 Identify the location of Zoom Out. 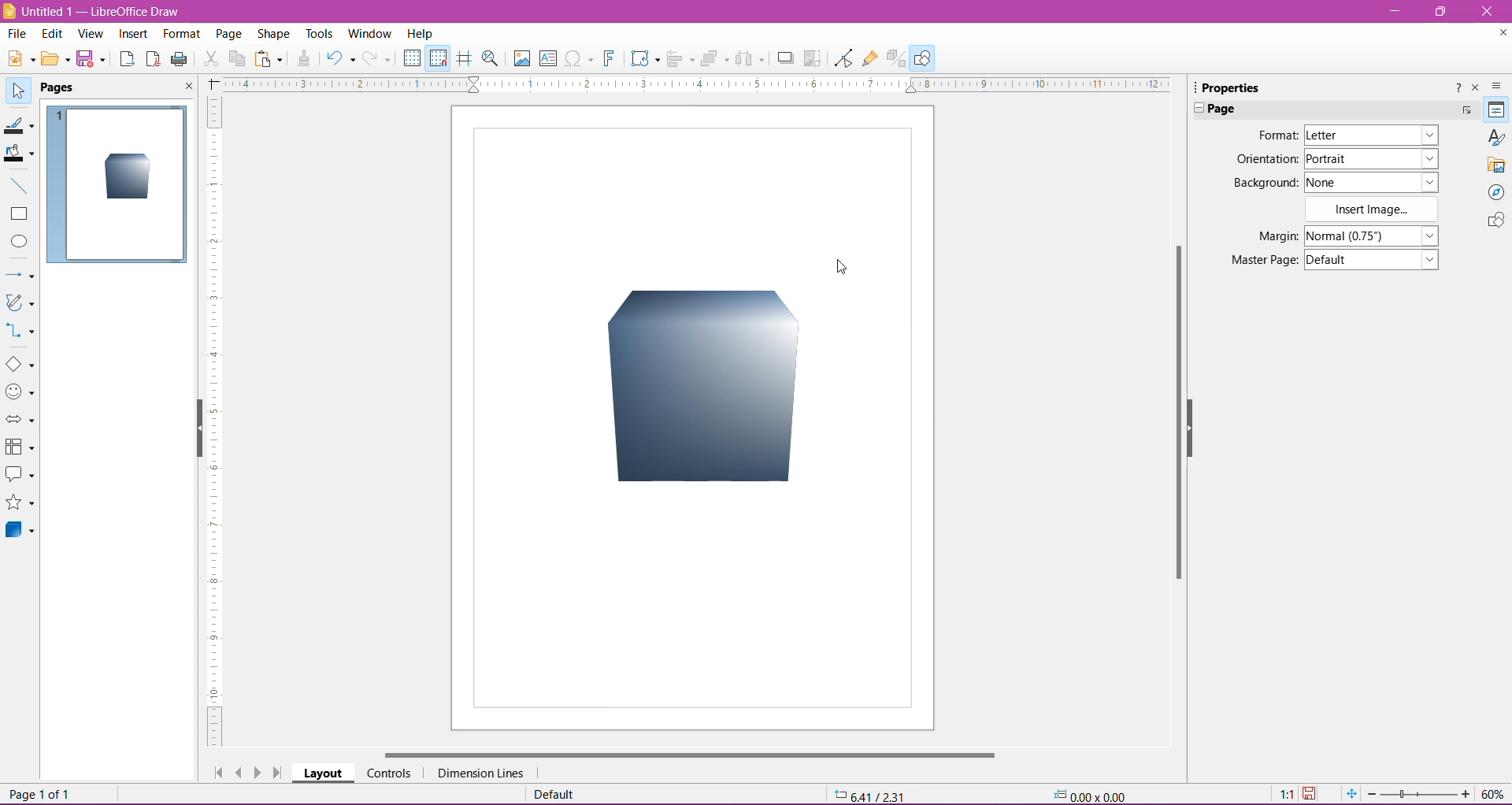
(1371, 794).